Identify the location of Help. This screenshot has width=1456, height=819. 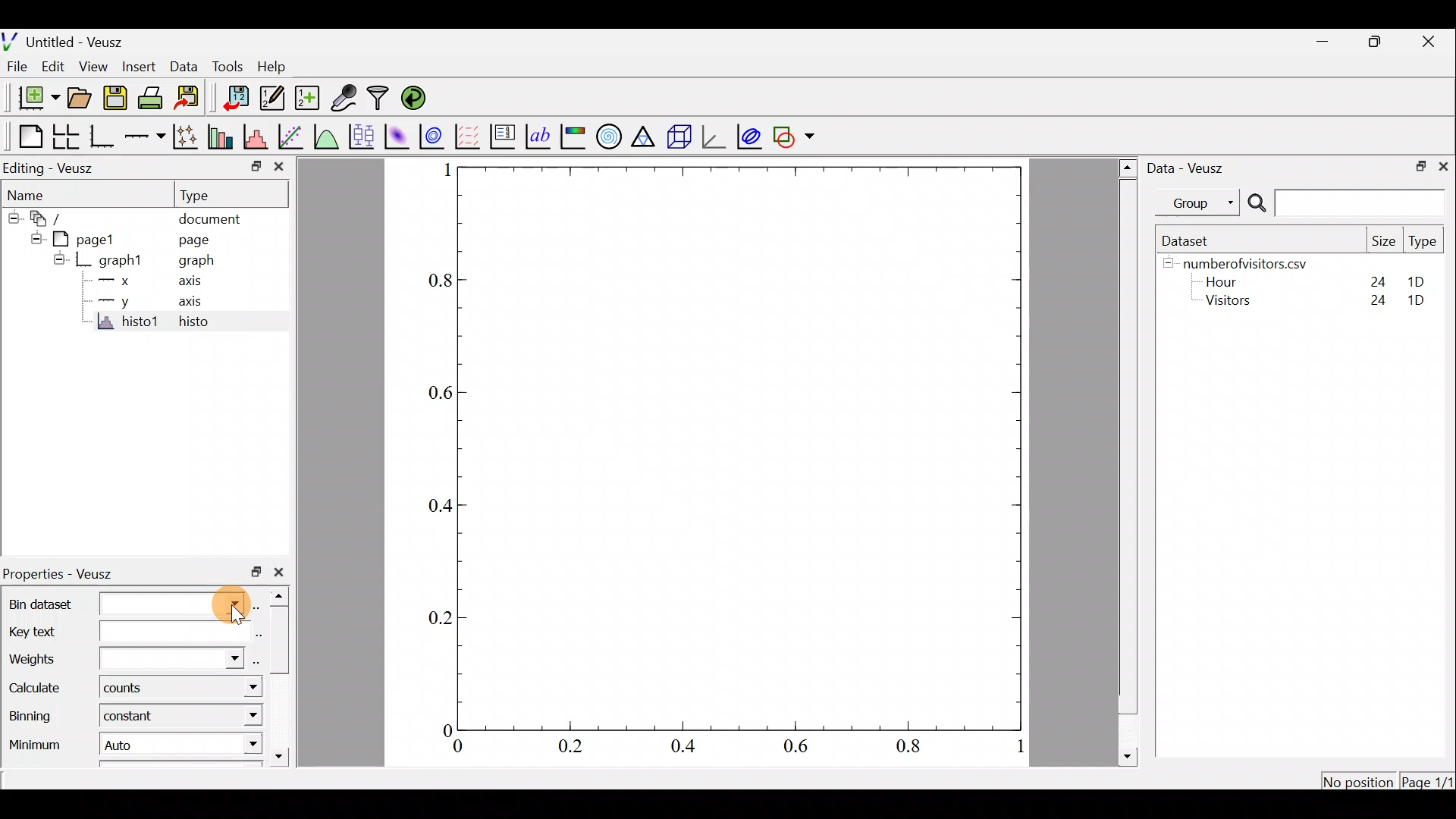
(274, 67).